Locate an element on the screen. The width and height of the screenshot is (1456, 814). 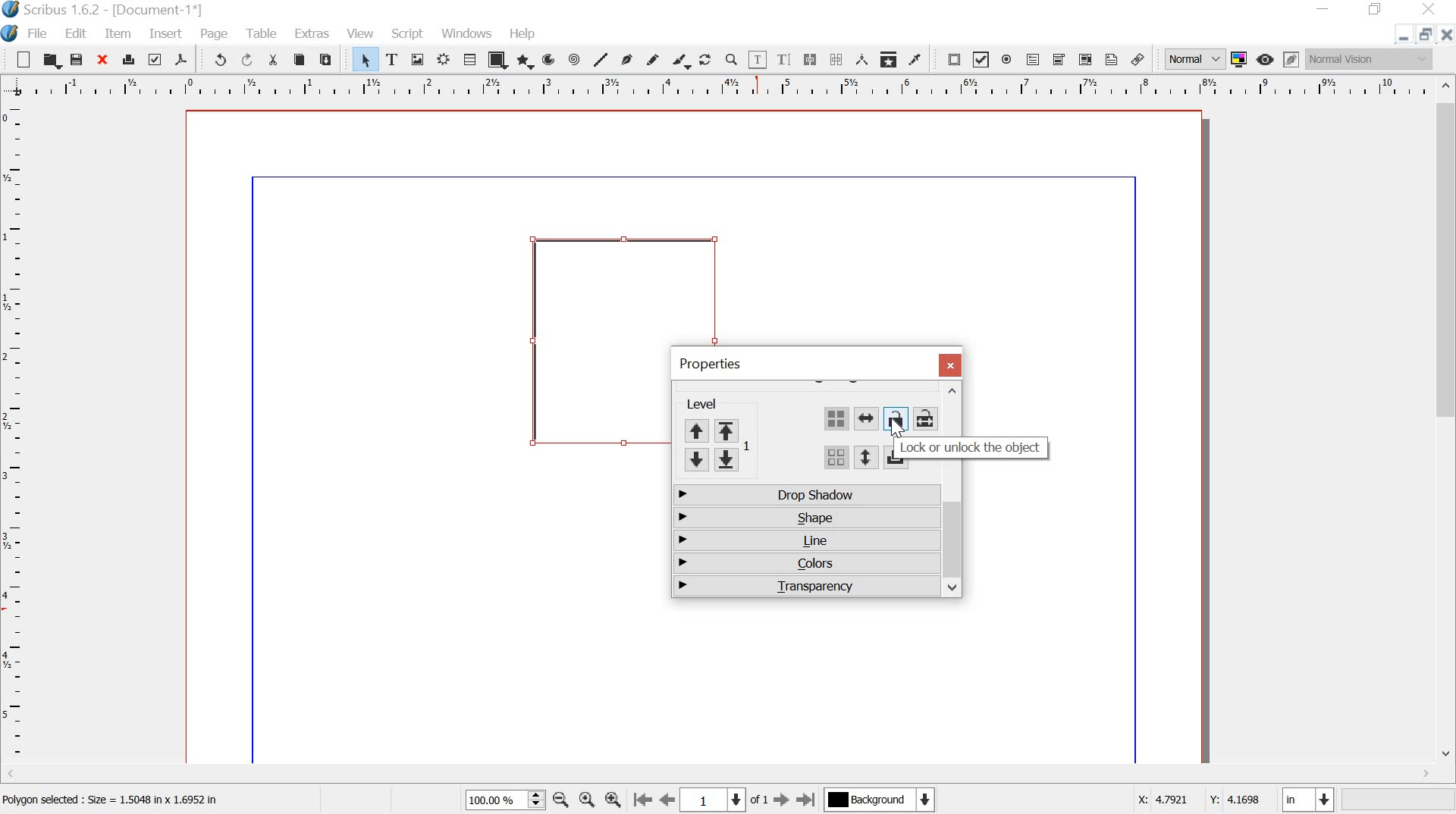
select is located at coordinates (359, 59).